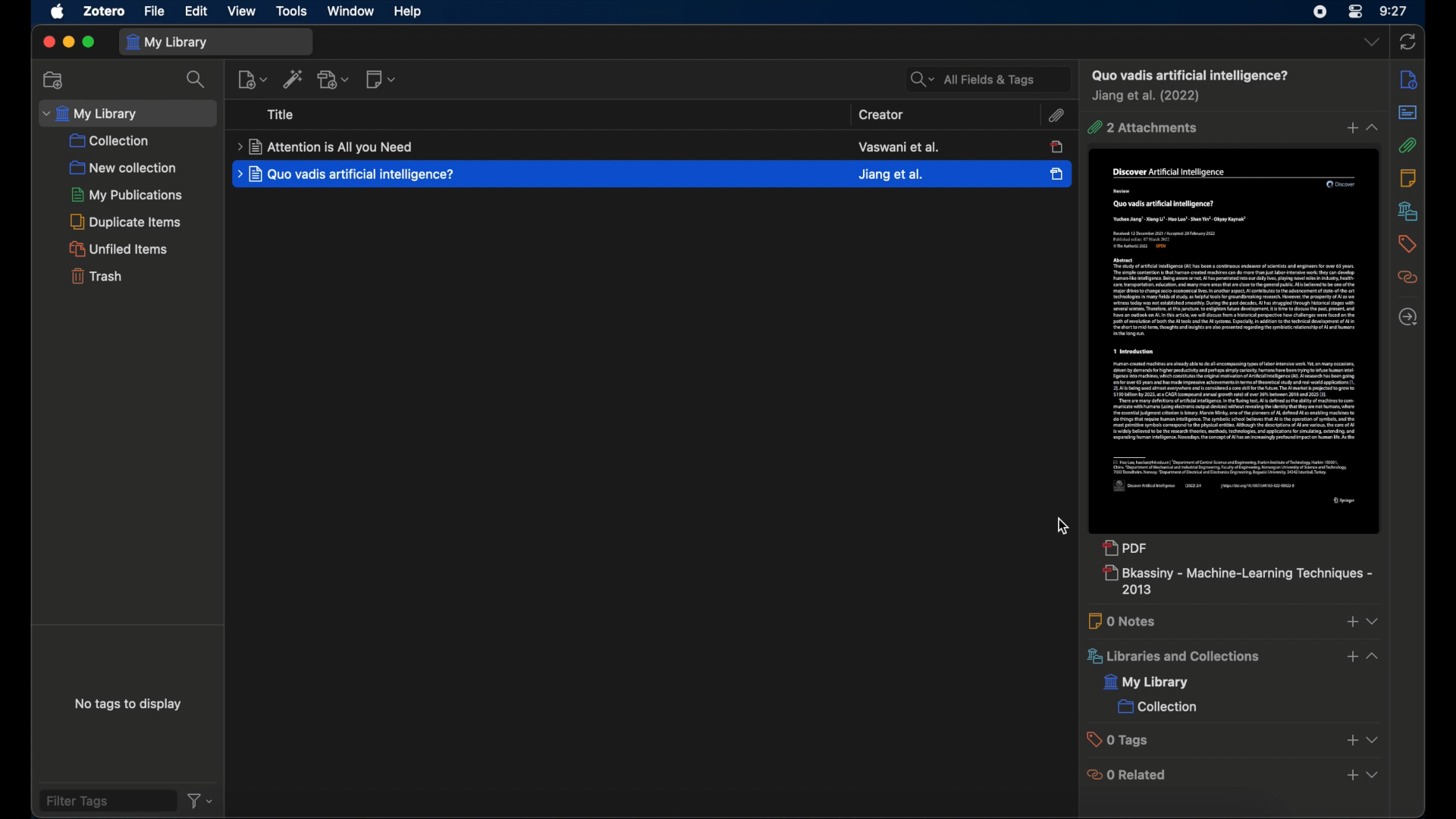 The width and height of the screenshot is (1456, 819). Describe the element at coordinates (1348, 126) in the screenshot. I see `add` at that location.